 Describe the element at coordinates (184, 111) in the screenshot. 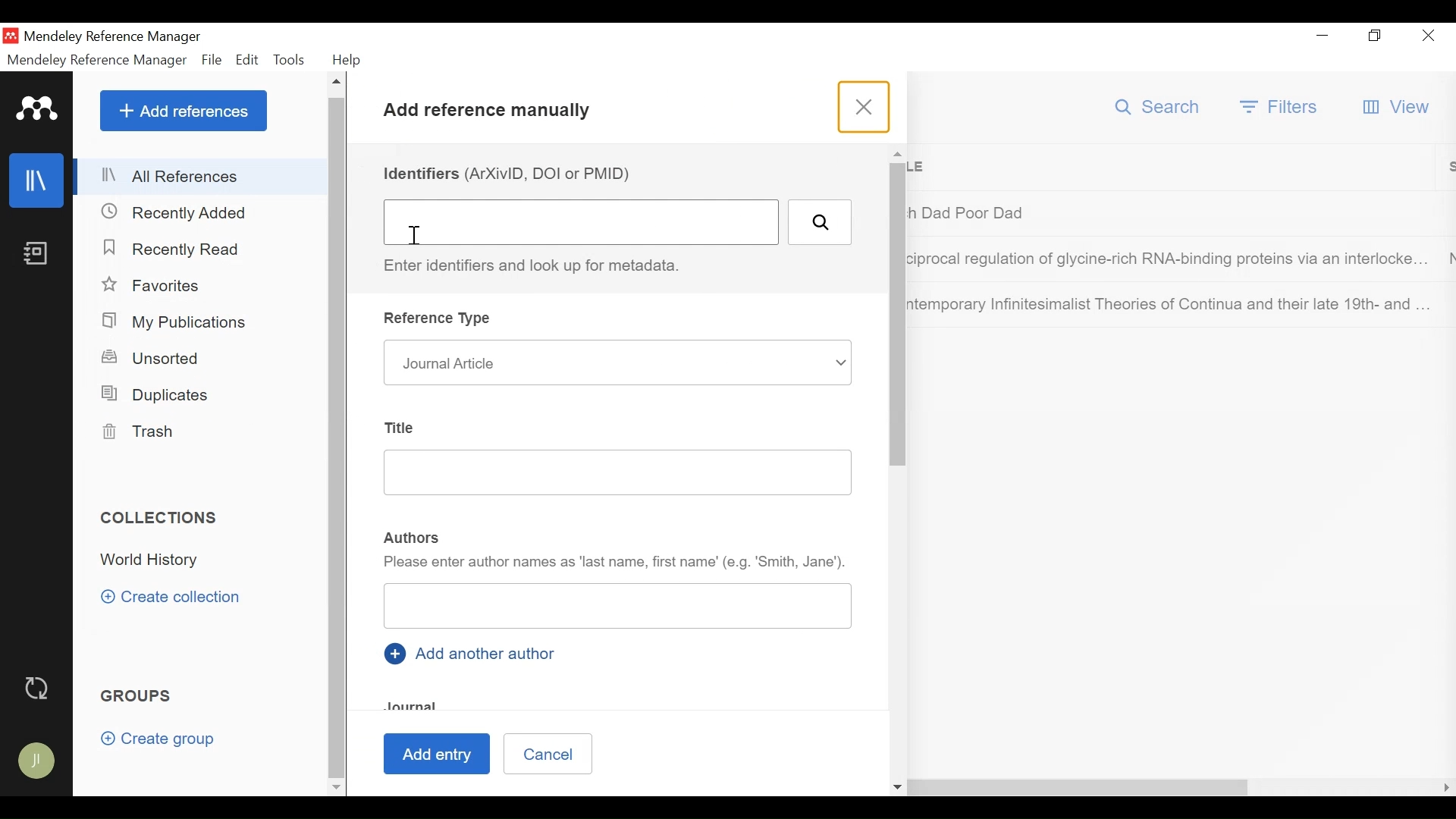

I see `Add References` at that location.